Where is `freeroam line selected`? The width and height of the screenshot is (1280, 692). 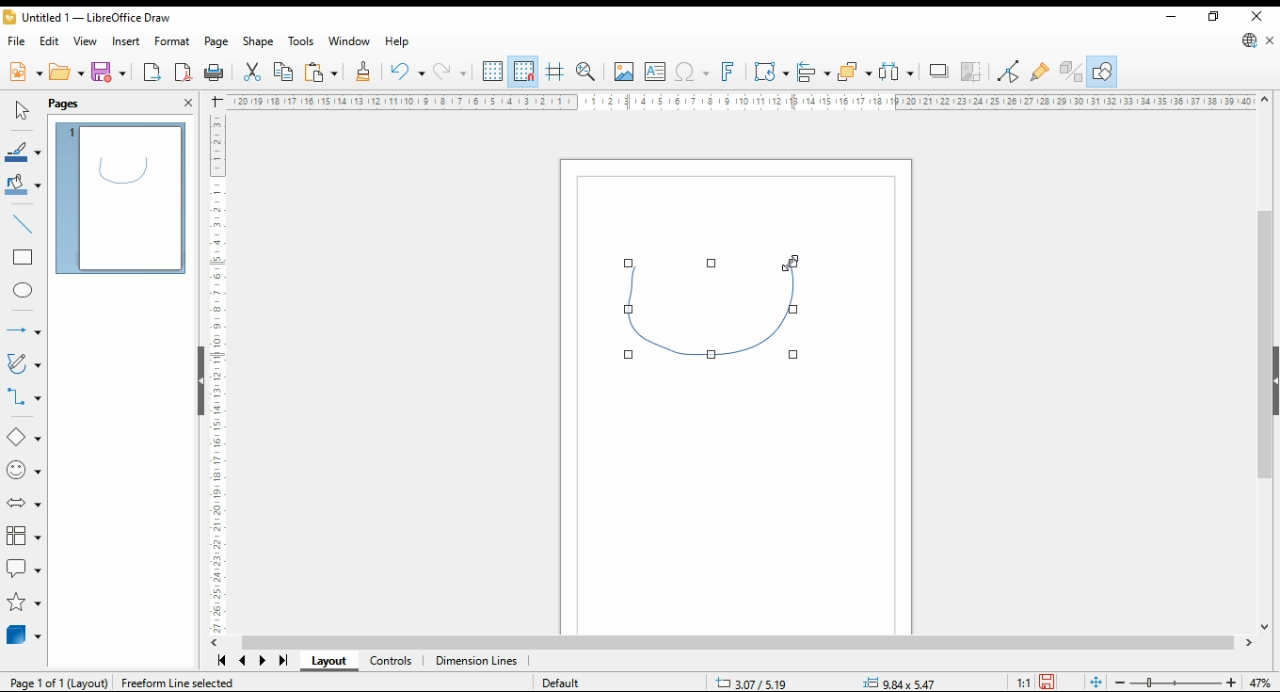
freeroam line selected is located at coordinates (177, 682).